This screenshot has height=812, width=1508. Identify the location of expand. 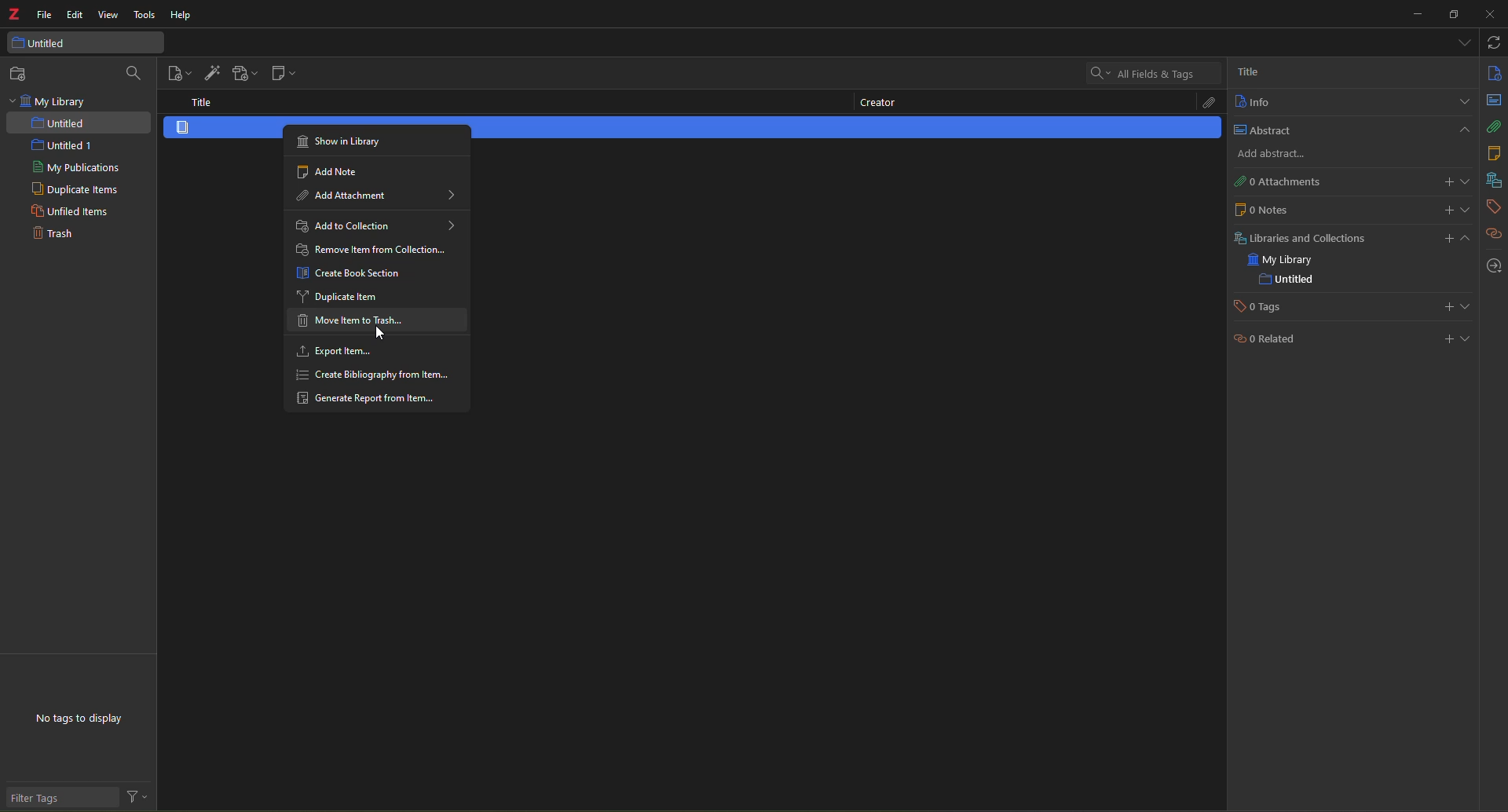
(1466, 306).